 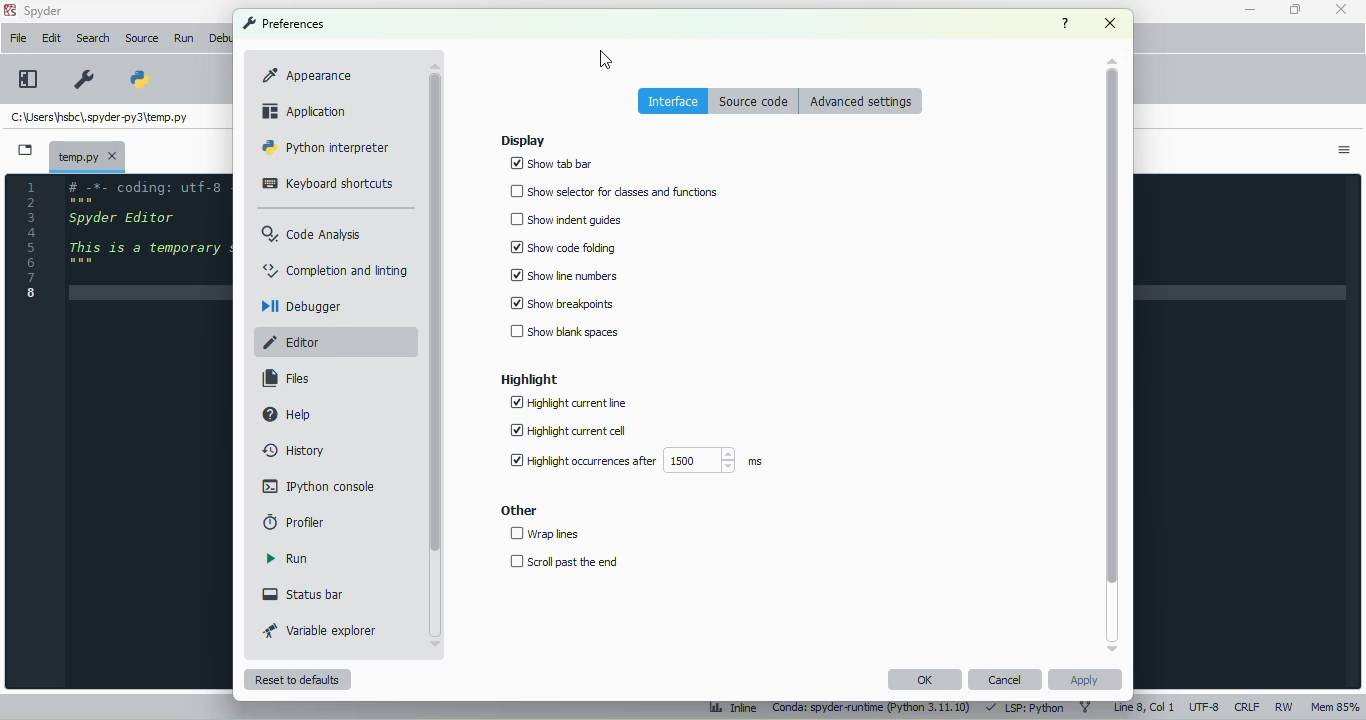 I want to click on temporary file, so click(x=88, y=154).